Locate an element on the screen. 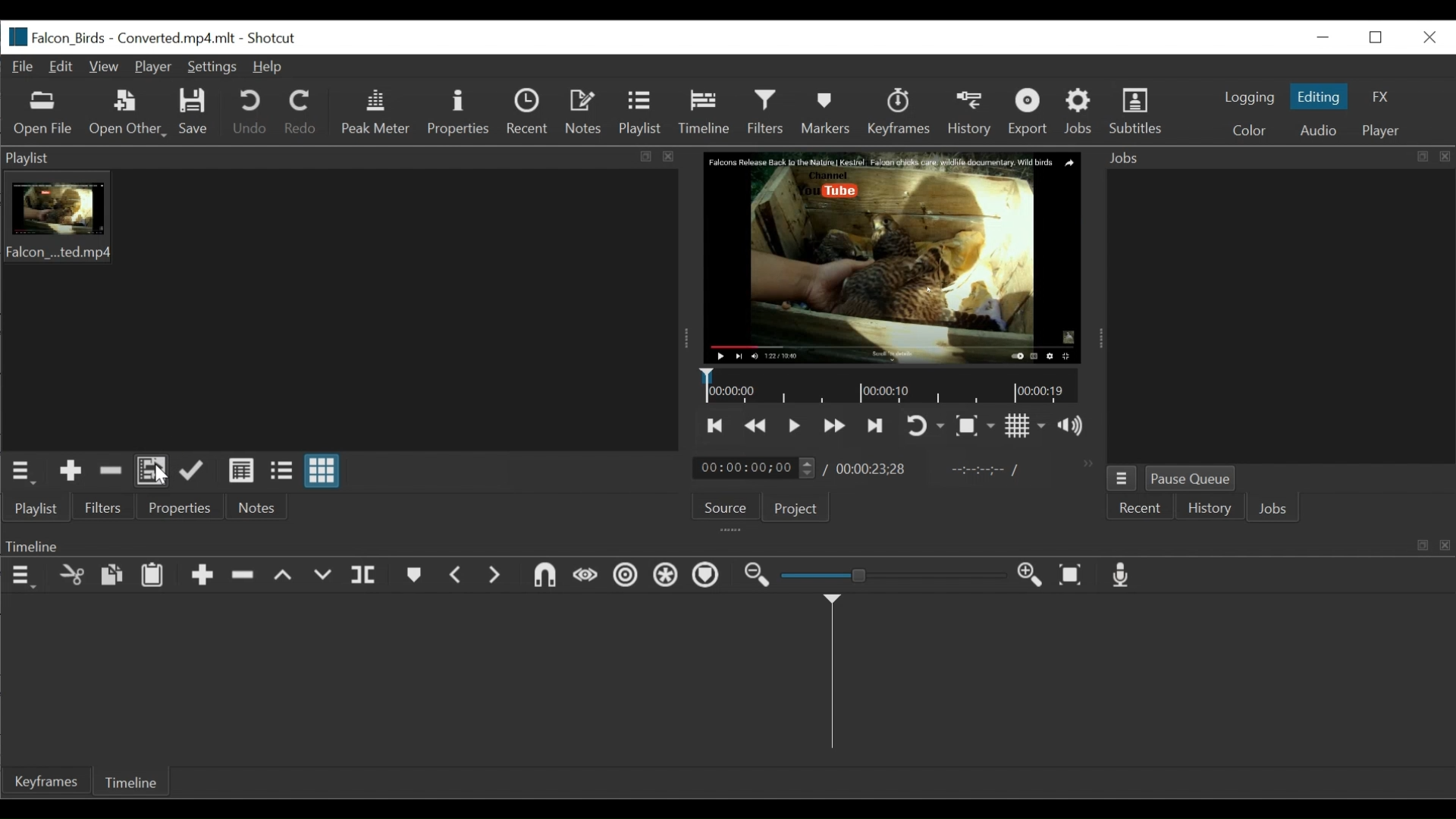 Image resolution: width=1456 pixels, height=819 pixels. Timeline cursor is located at coordinates (831, 676).